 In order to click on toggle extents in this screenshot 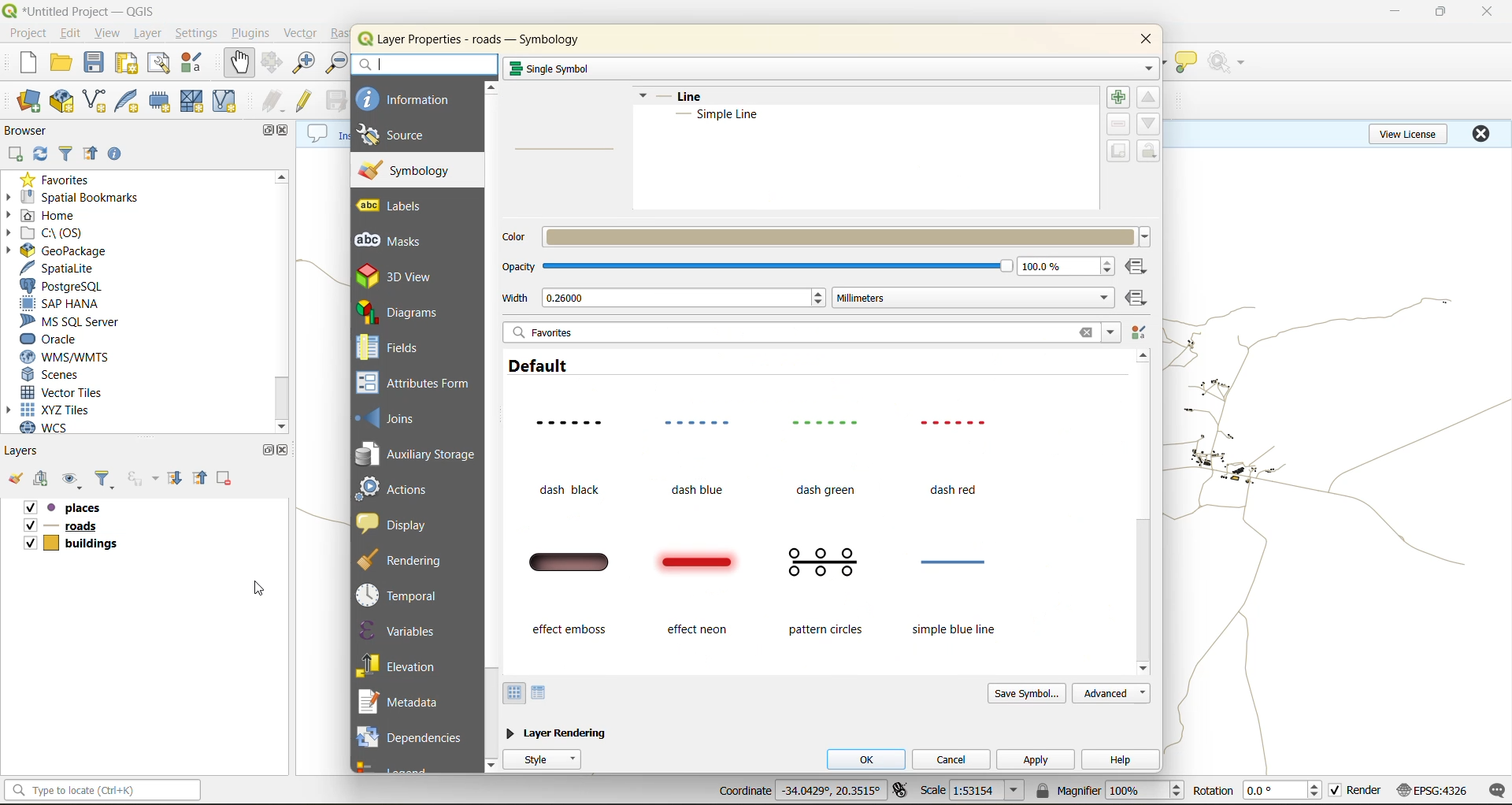, I will do `click(902, 789)`.